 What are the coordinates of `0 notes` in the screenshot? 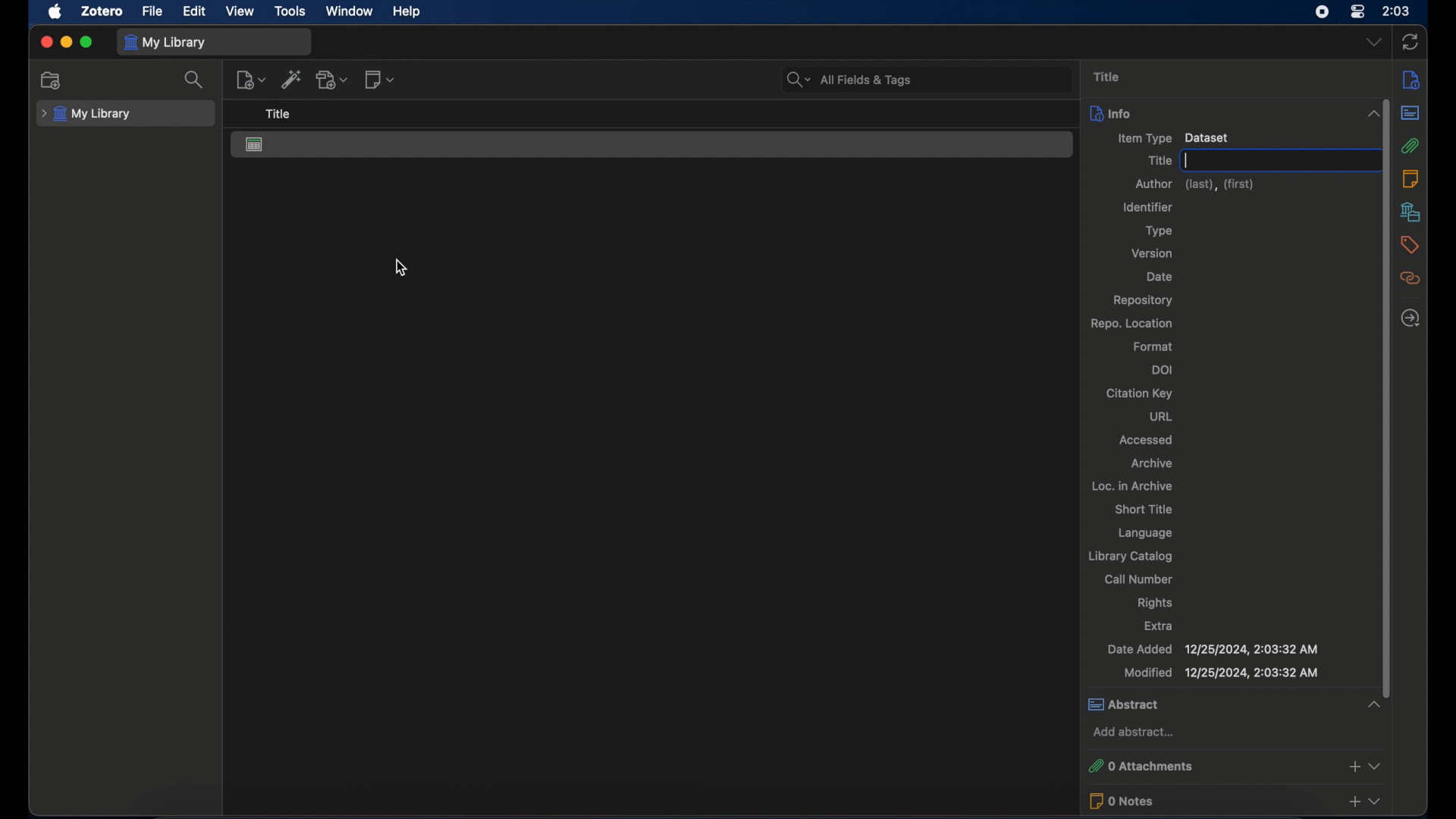 It's located at (1235, 801).